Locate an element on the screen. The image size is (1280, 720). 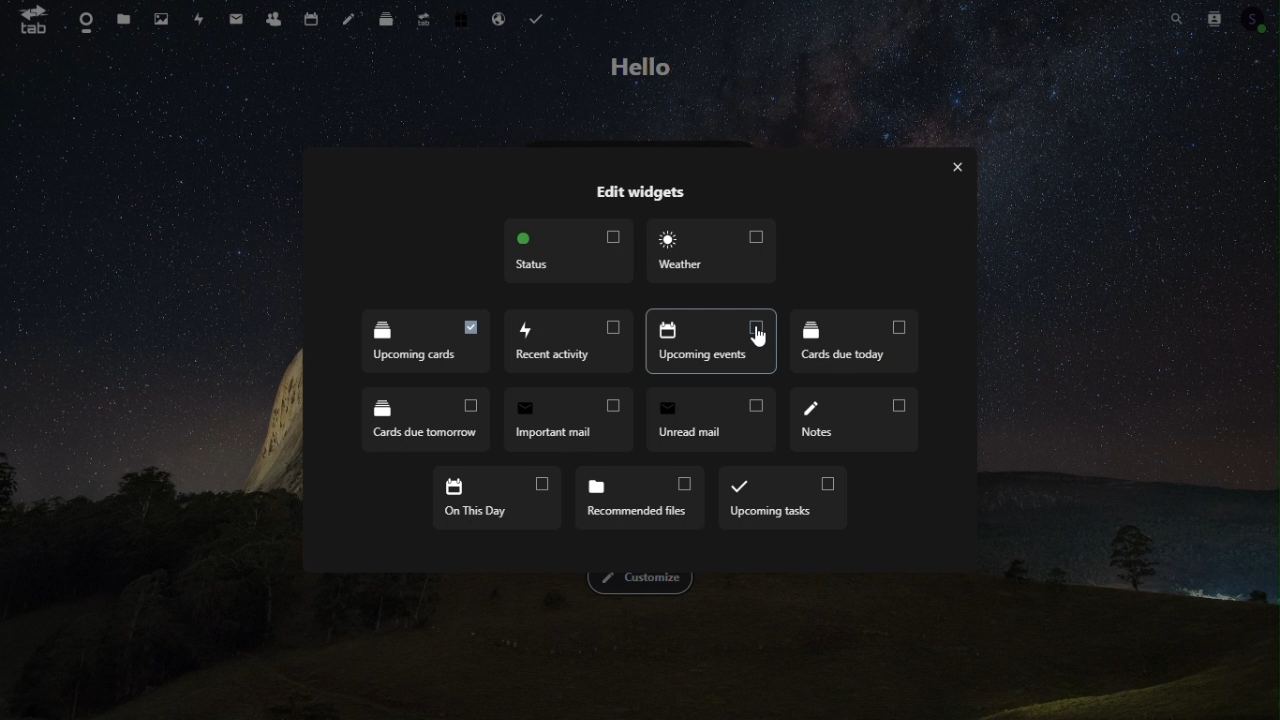
Status is located at coordinates (566, 250).